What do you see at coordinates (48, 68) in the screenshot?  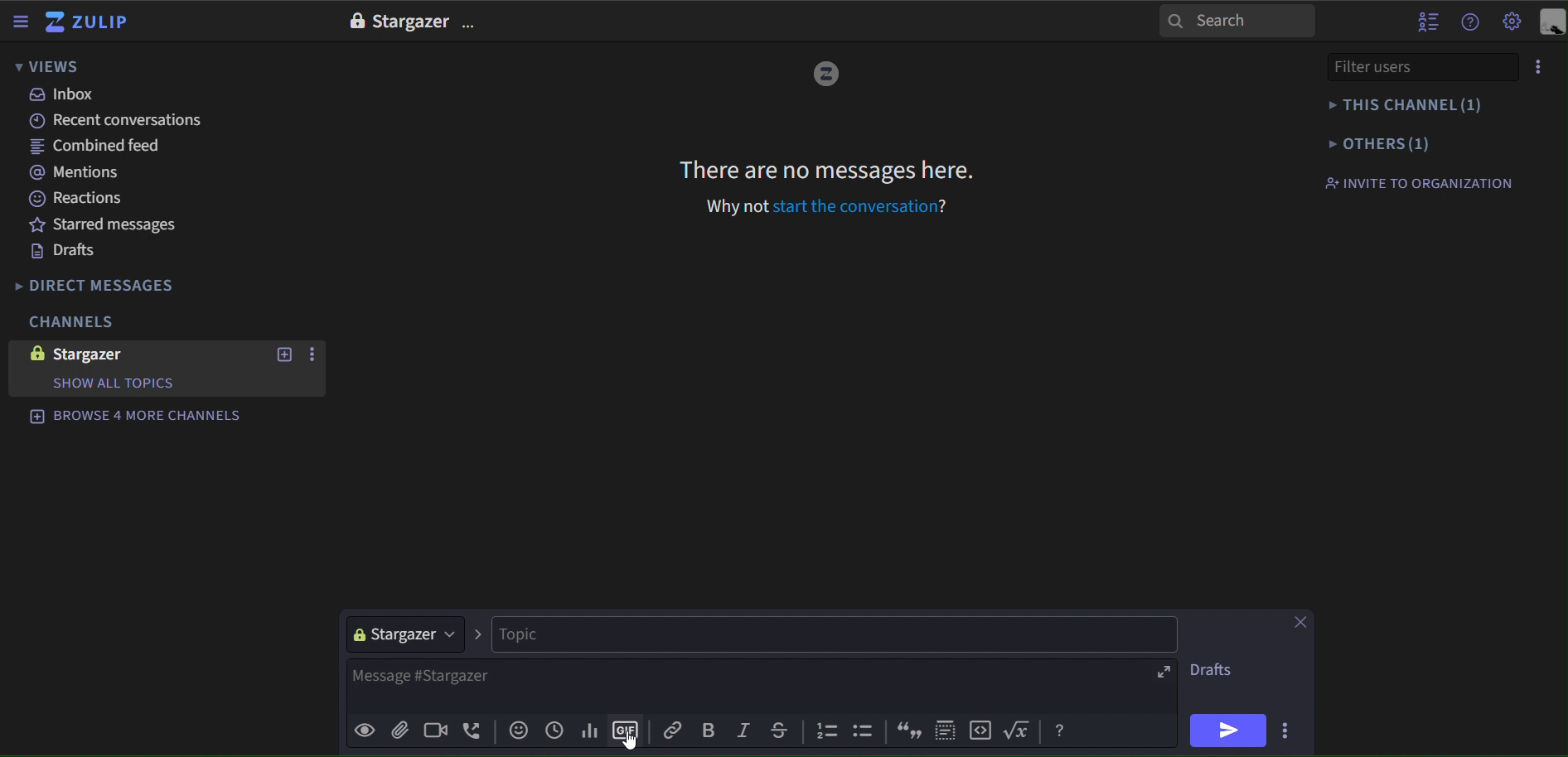 I see `views` at bounding box center [48, 68].